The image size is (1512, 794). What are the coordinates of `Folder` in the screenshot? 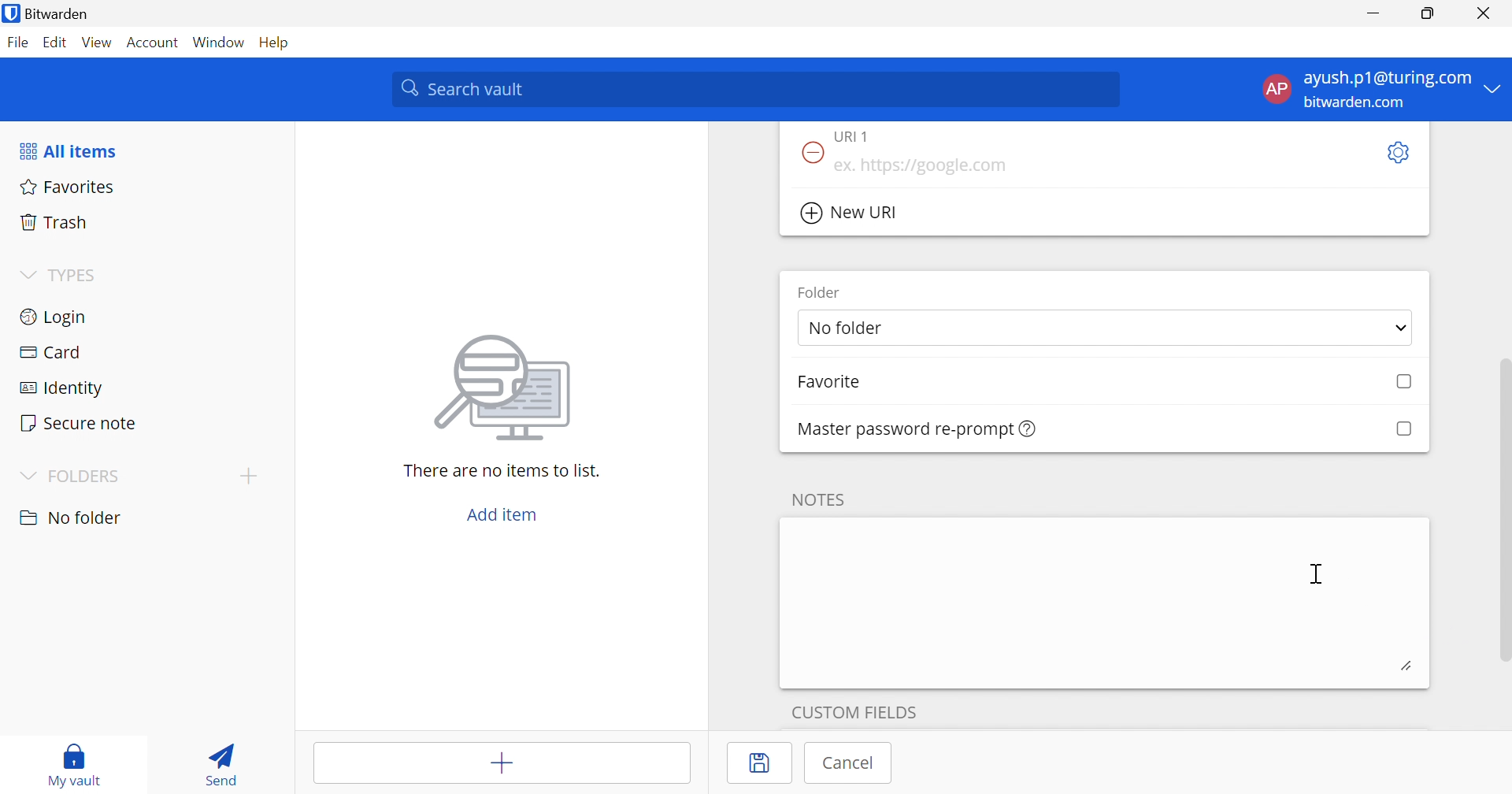 It's located at (820, 291).